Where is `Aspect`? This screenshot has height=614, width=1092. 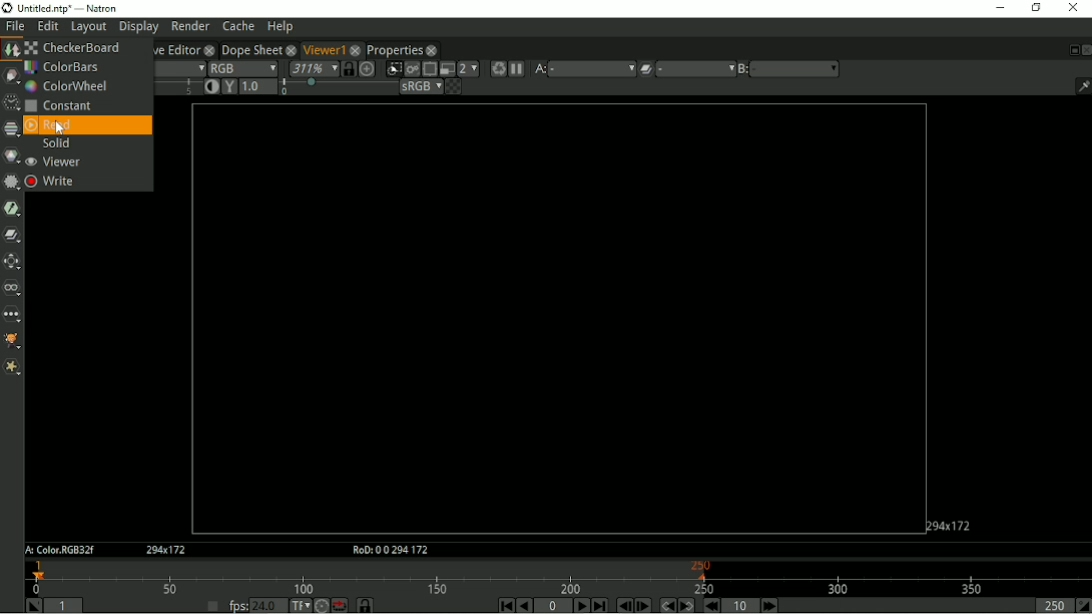 Aspect is located at coordinates (950, 524).